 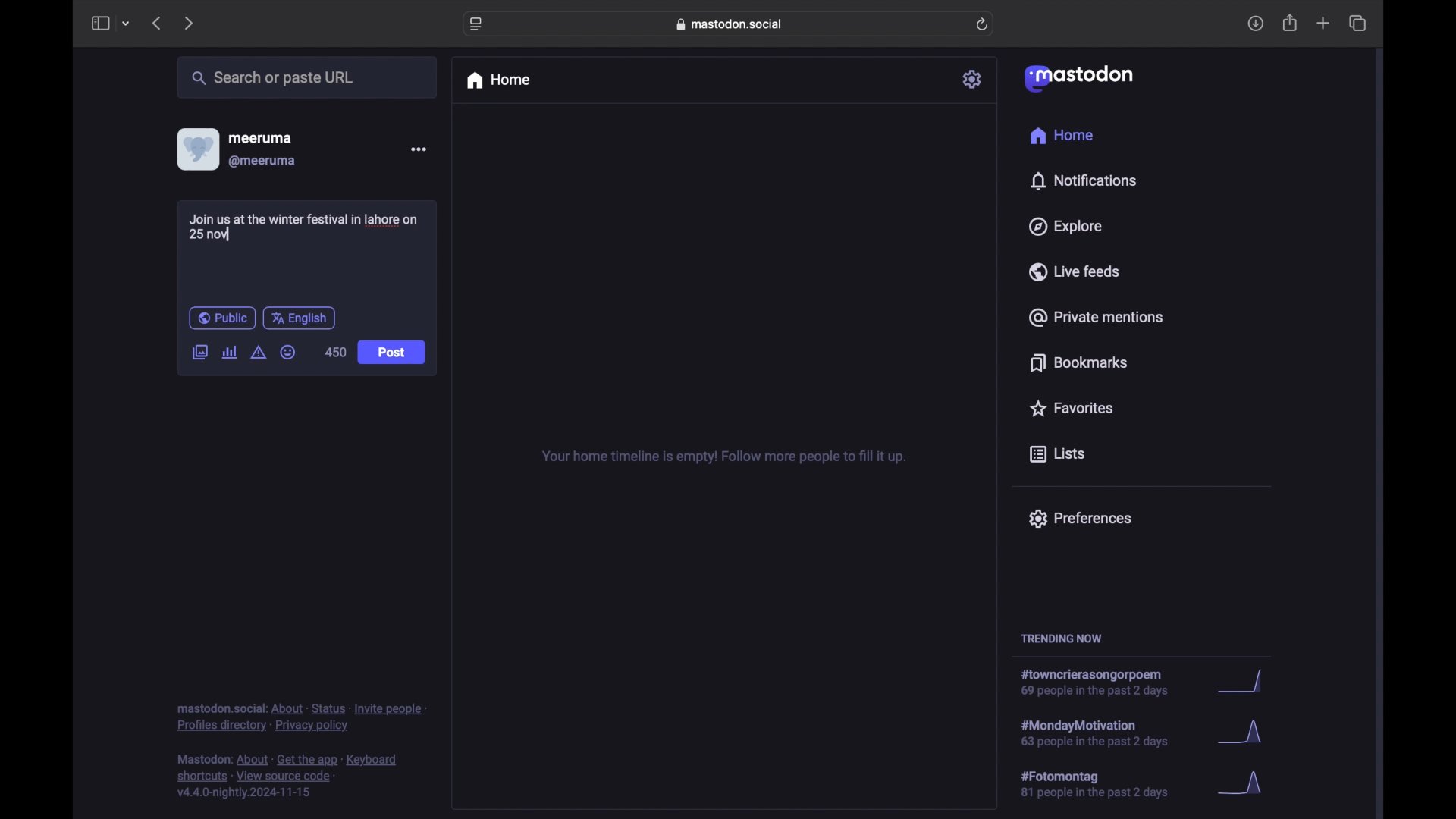 I want to click on previous, so click(x=156, y=23).